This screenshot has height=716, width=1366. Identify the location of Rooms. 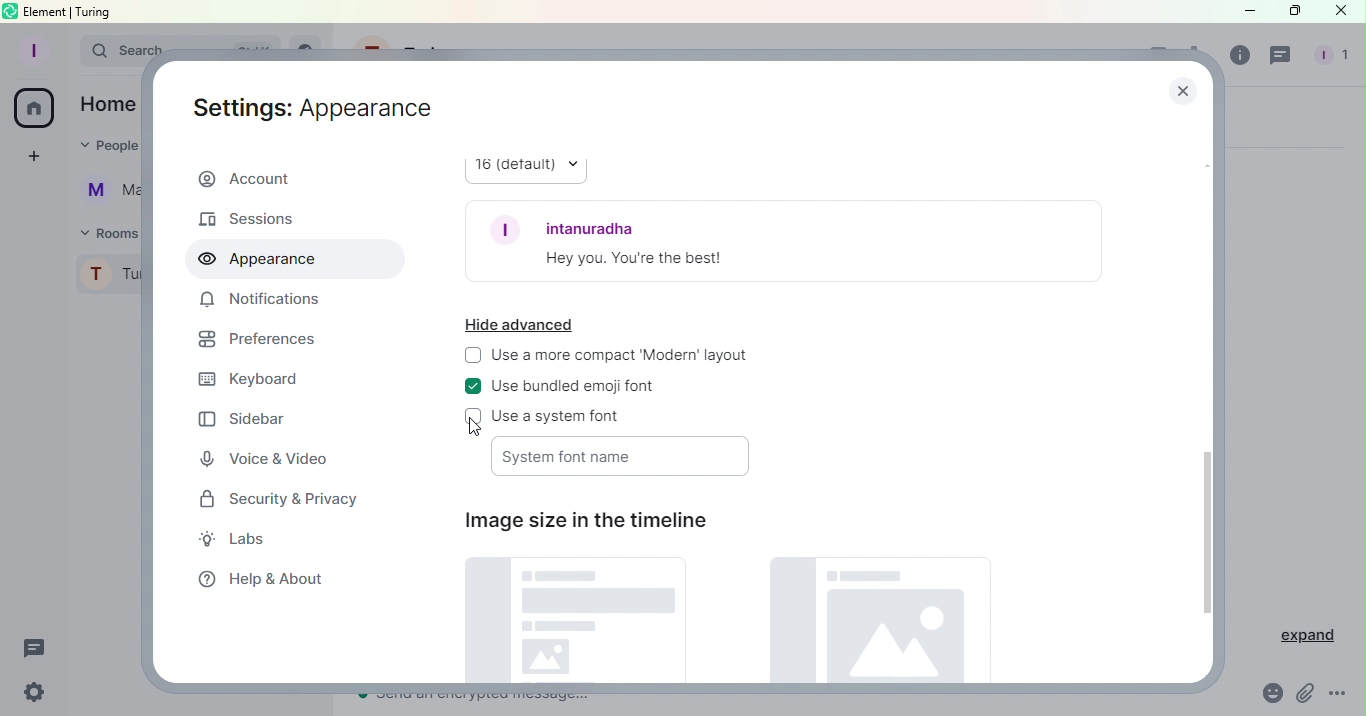
(113, 233).